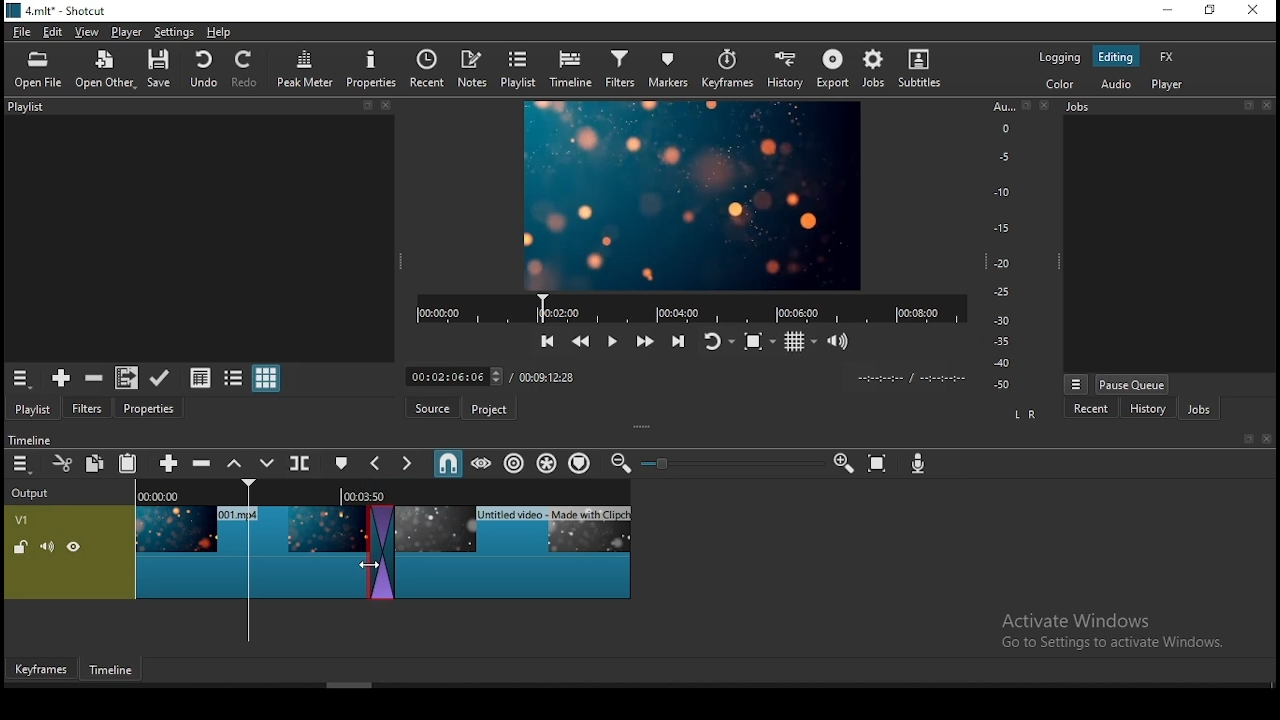 This screenshot has height=720, width=1280. Describe the element at coordinates (409, 464) in the screenshot. I see `next marker` at that location.